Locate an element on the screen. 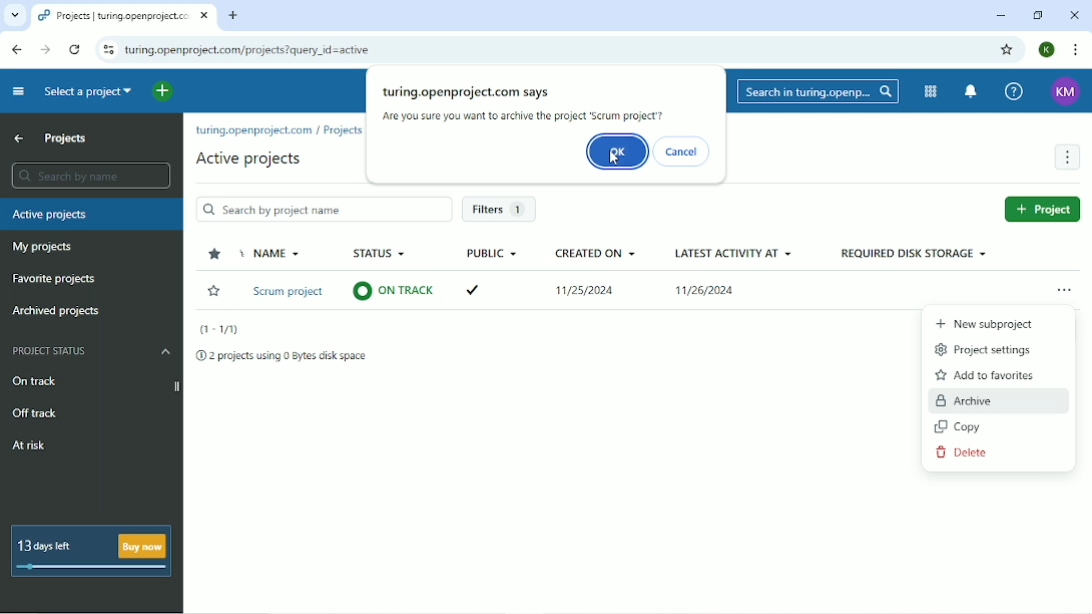 The width and height of the screenshot is (1092, 614). Reload this page is located at coordinates (75, 51).